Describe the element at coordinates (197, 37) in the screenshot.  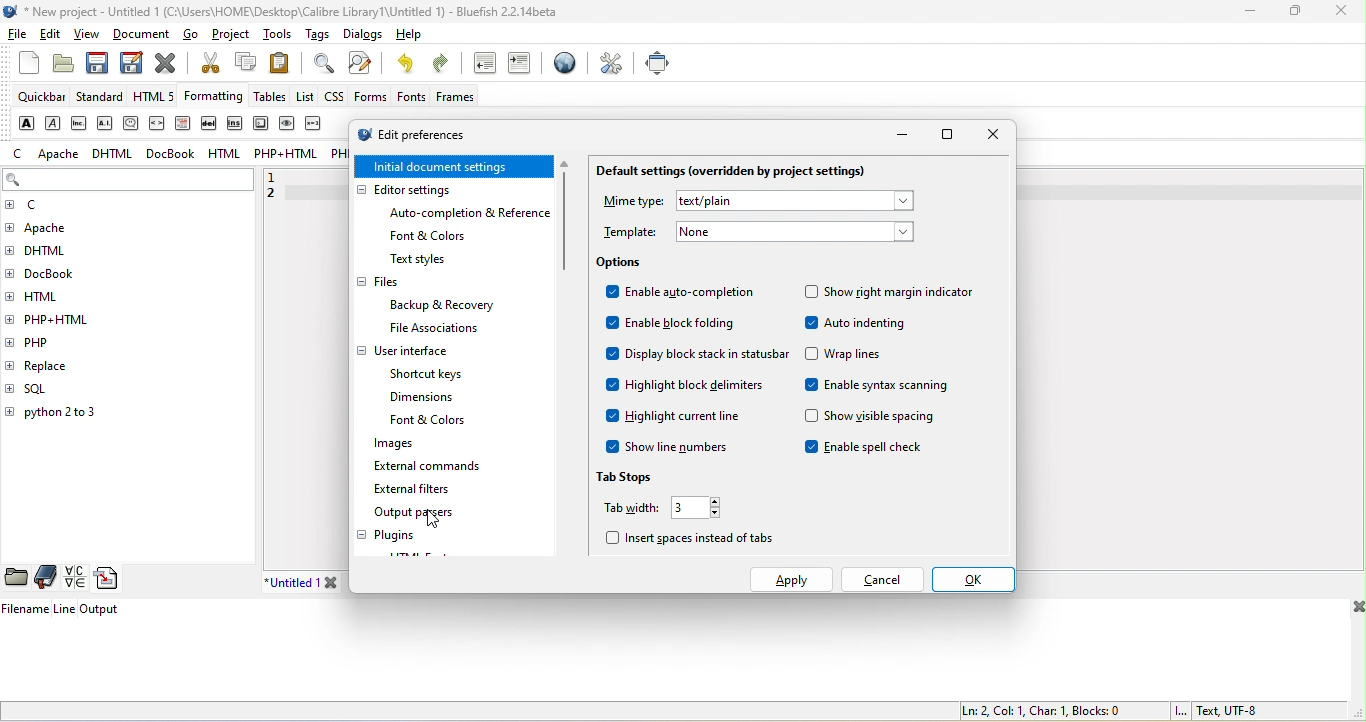
I see `go` at that location.